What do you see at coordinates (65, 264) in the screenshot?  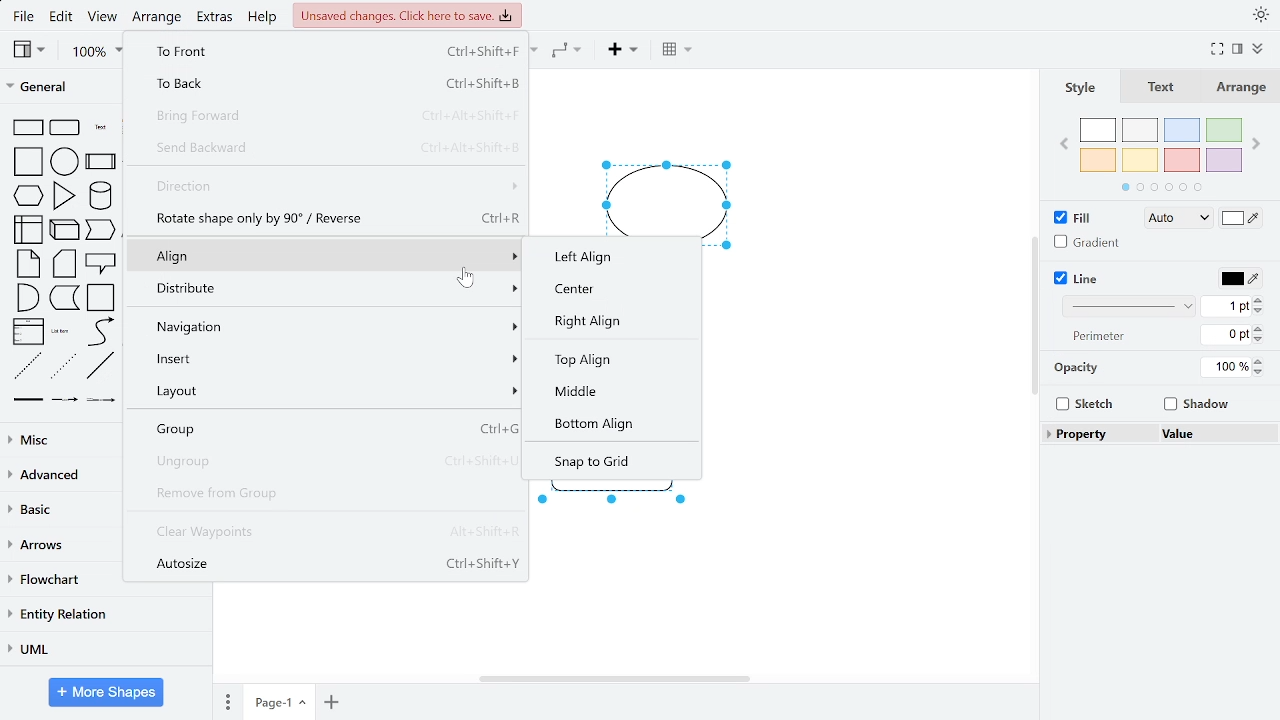 I see `card` at bounding box center [65, 264].